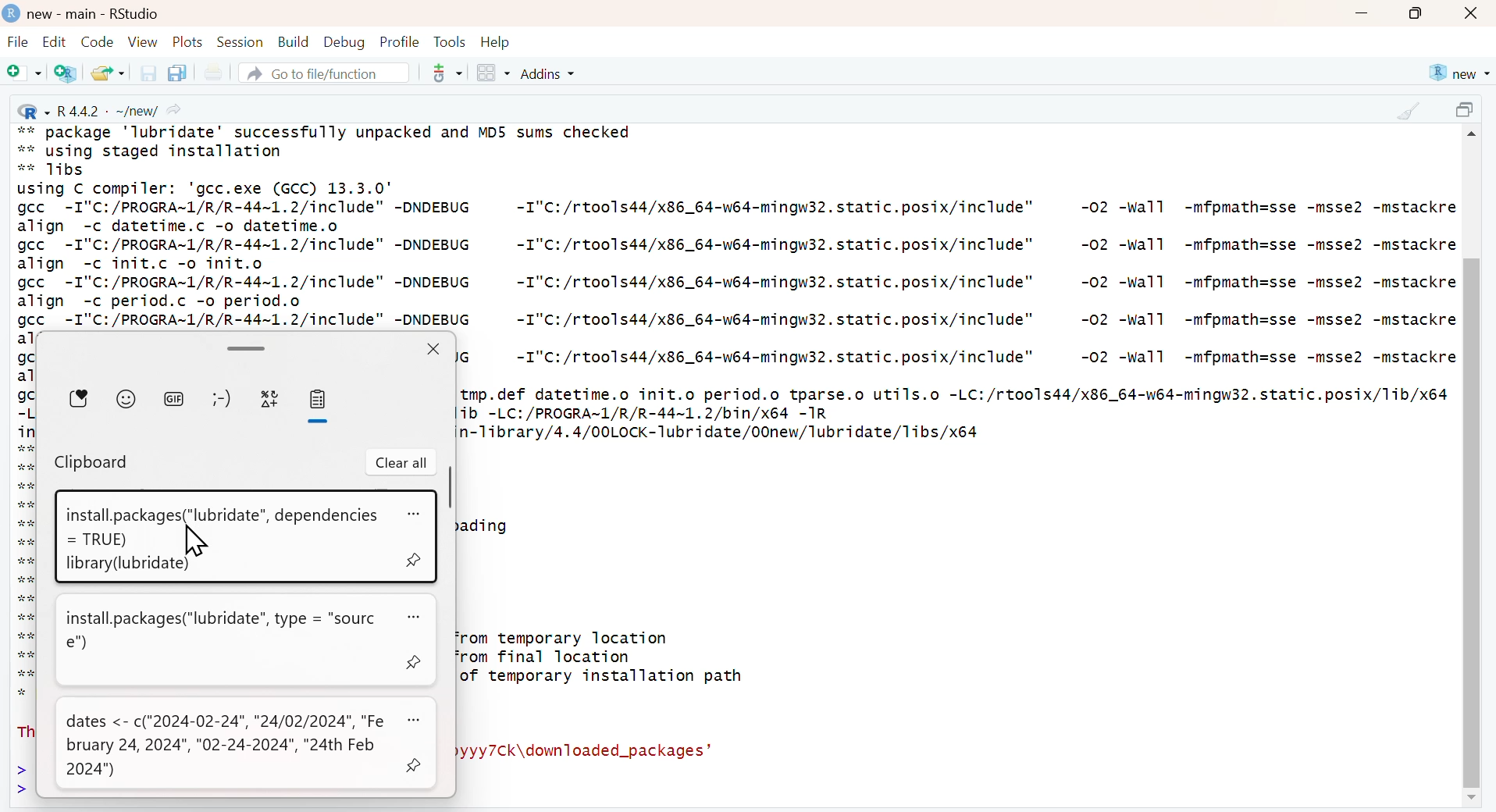  Describe the element at coordinates (95, 14) in the screenshot. I see `new - main - RStudio` at that location.